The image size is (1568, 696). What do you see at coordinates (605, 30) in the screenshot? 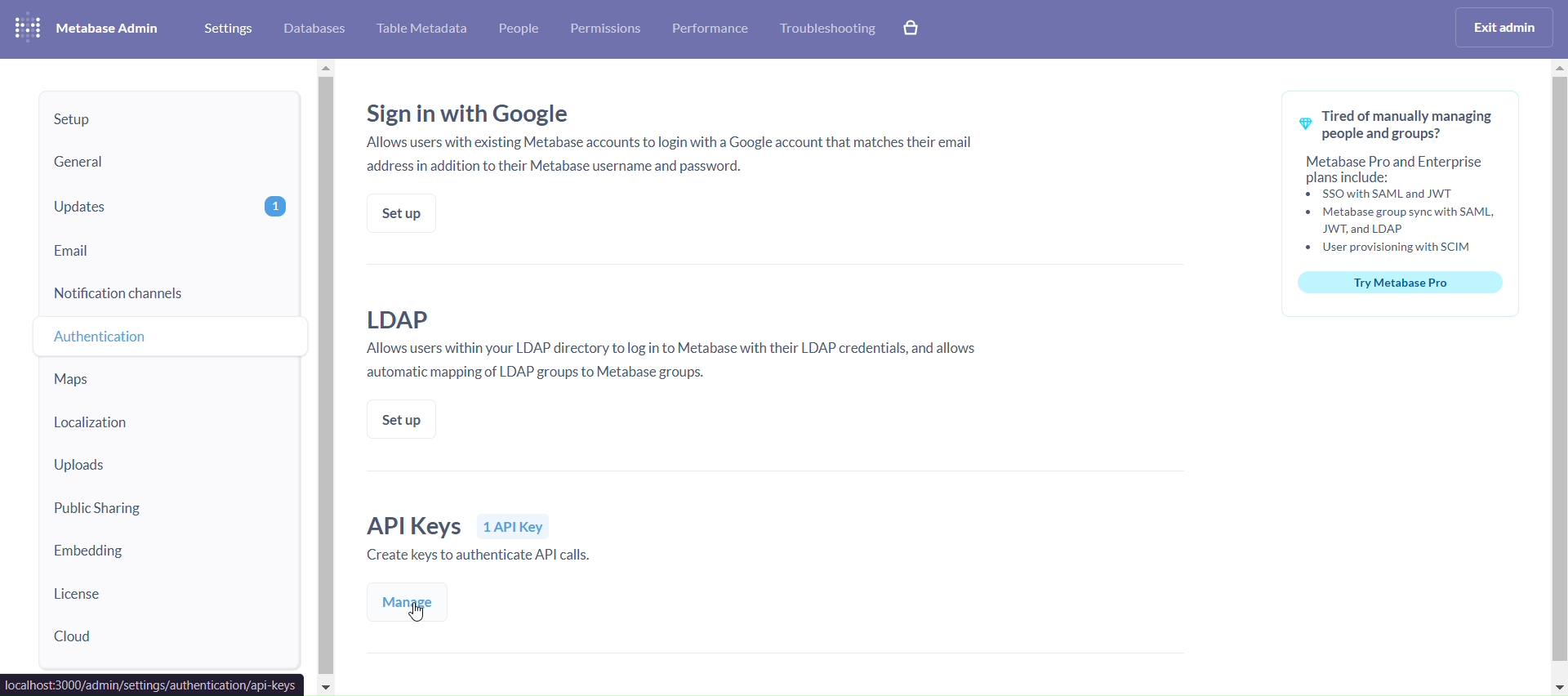
I see `permissions` at bounding box center [605, 30].